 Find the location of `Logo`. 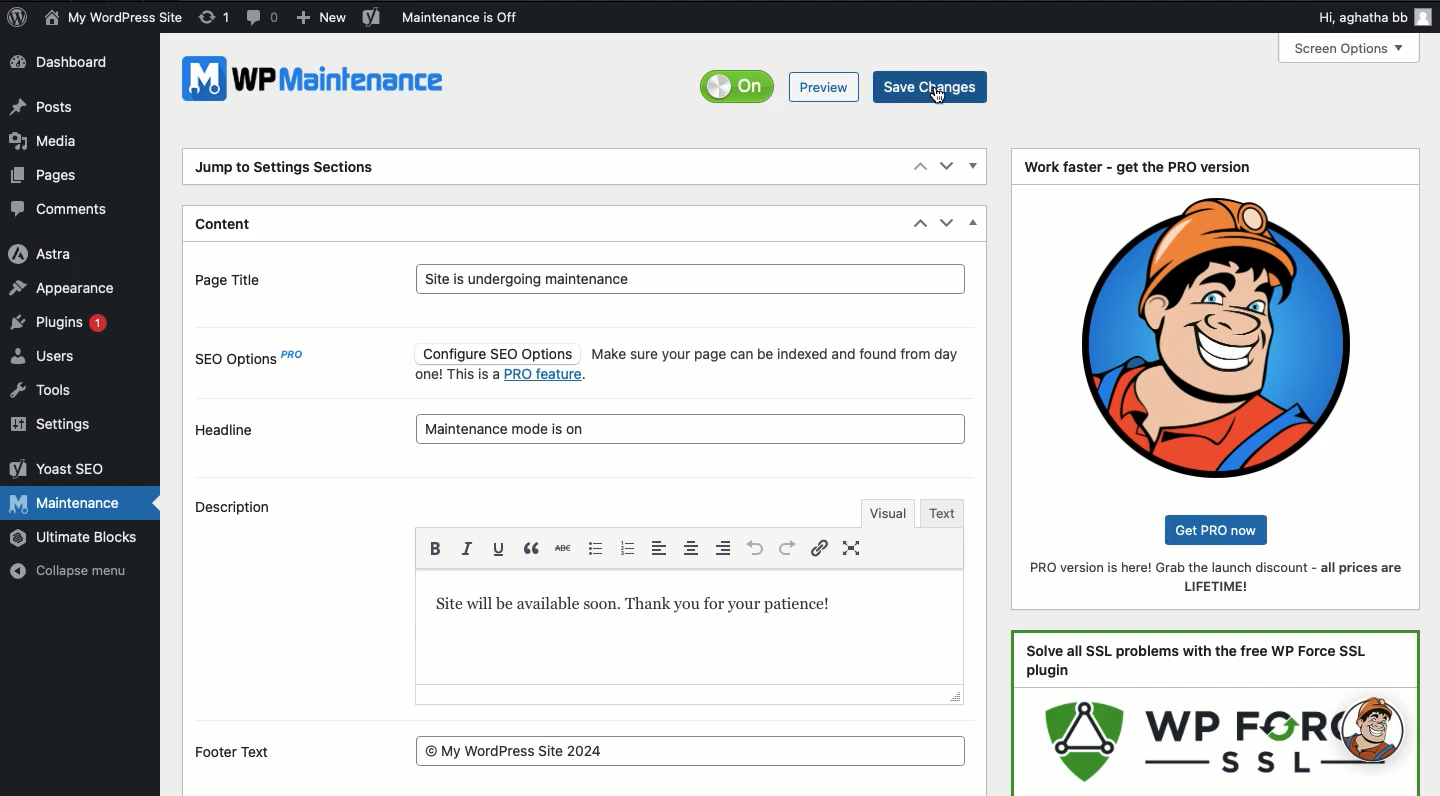

Logo is located at coordinates (16, 17).